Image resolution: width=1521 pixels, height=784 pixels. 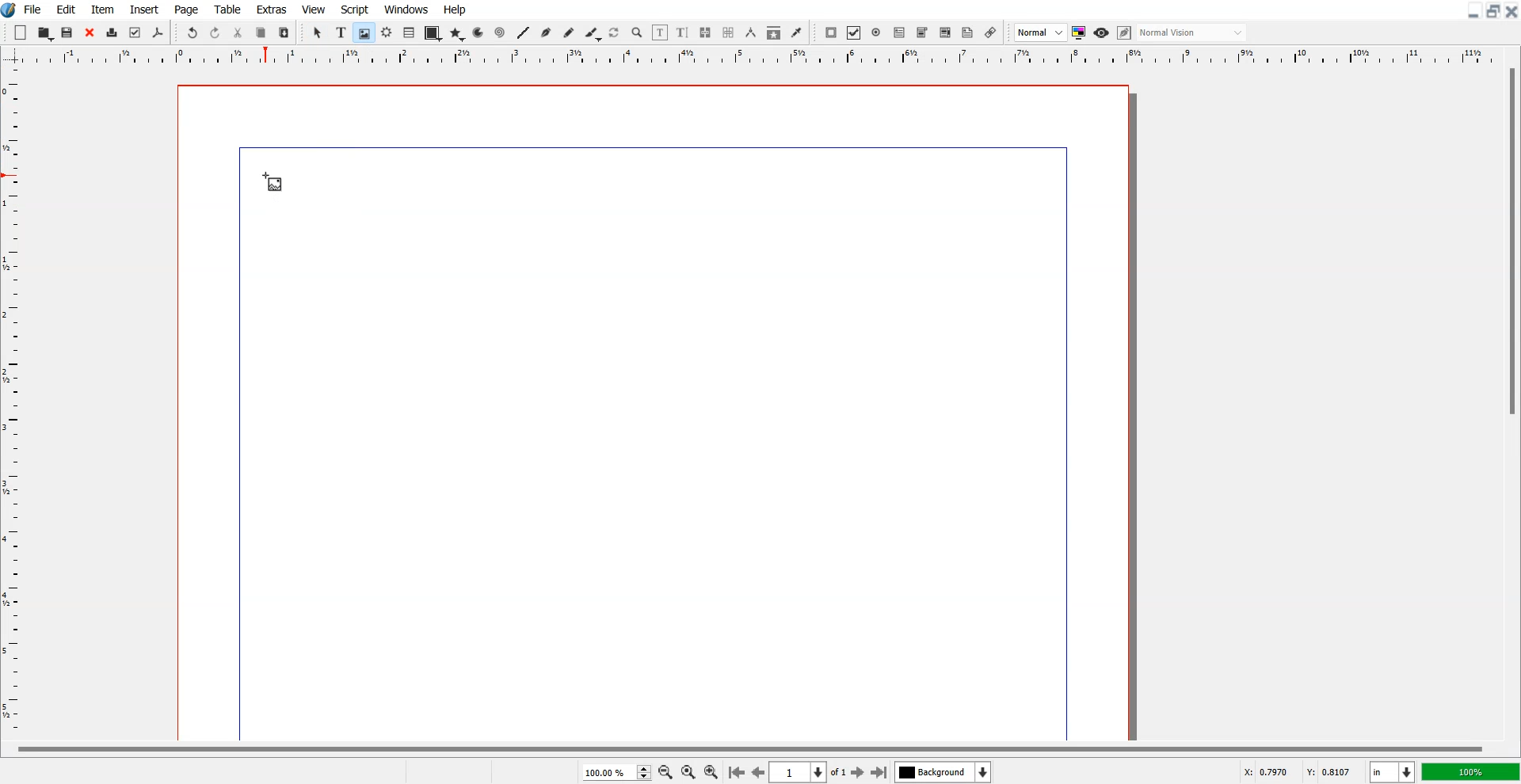 What do you see at coordinates (1040, 32) in the screenshot?
I see `Select Image Preview Quality` at bounding box center [1040, 32].